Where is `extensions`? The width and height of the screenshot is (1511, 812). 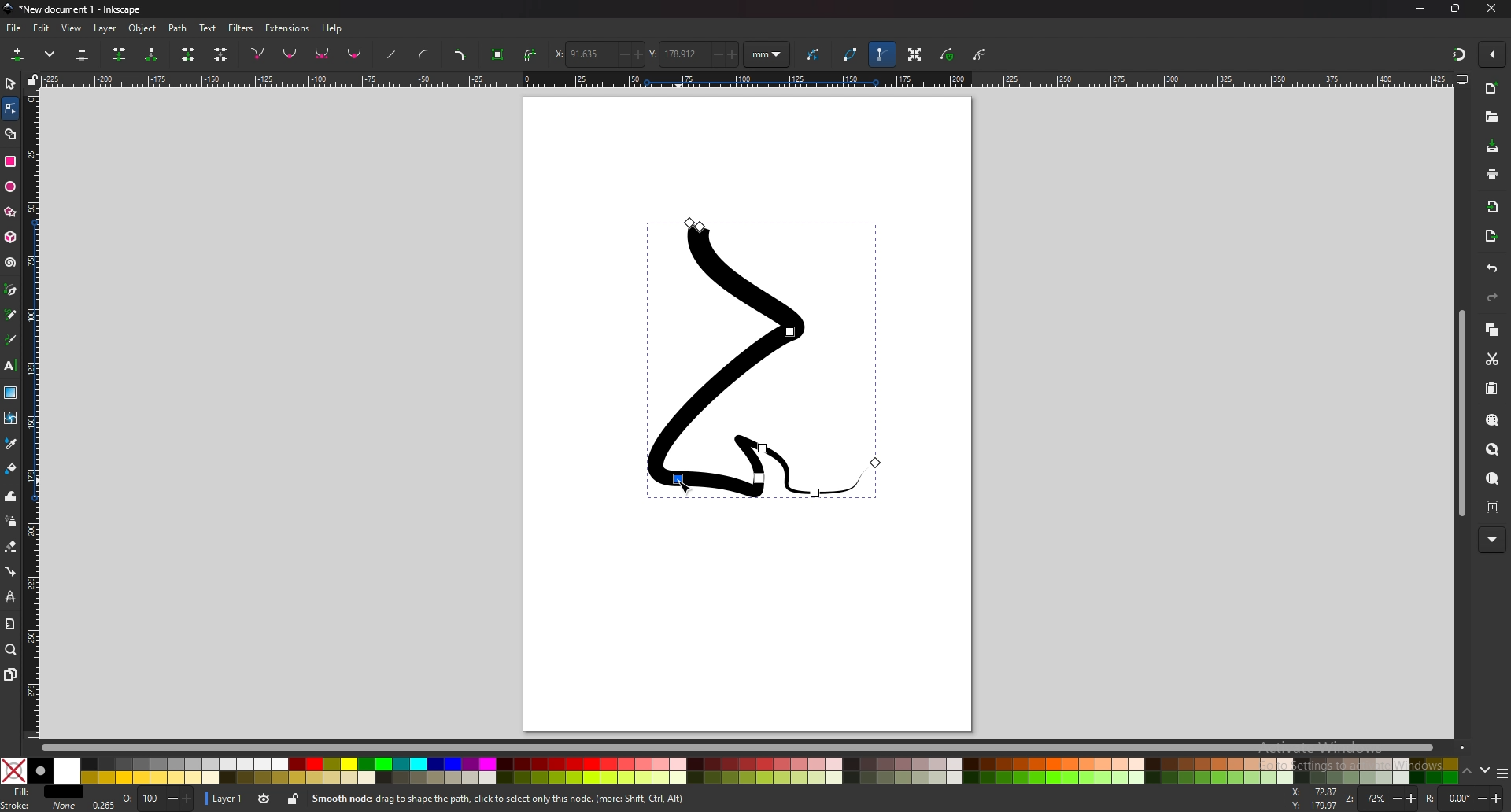
extensions is located at coordinates (286, 28).